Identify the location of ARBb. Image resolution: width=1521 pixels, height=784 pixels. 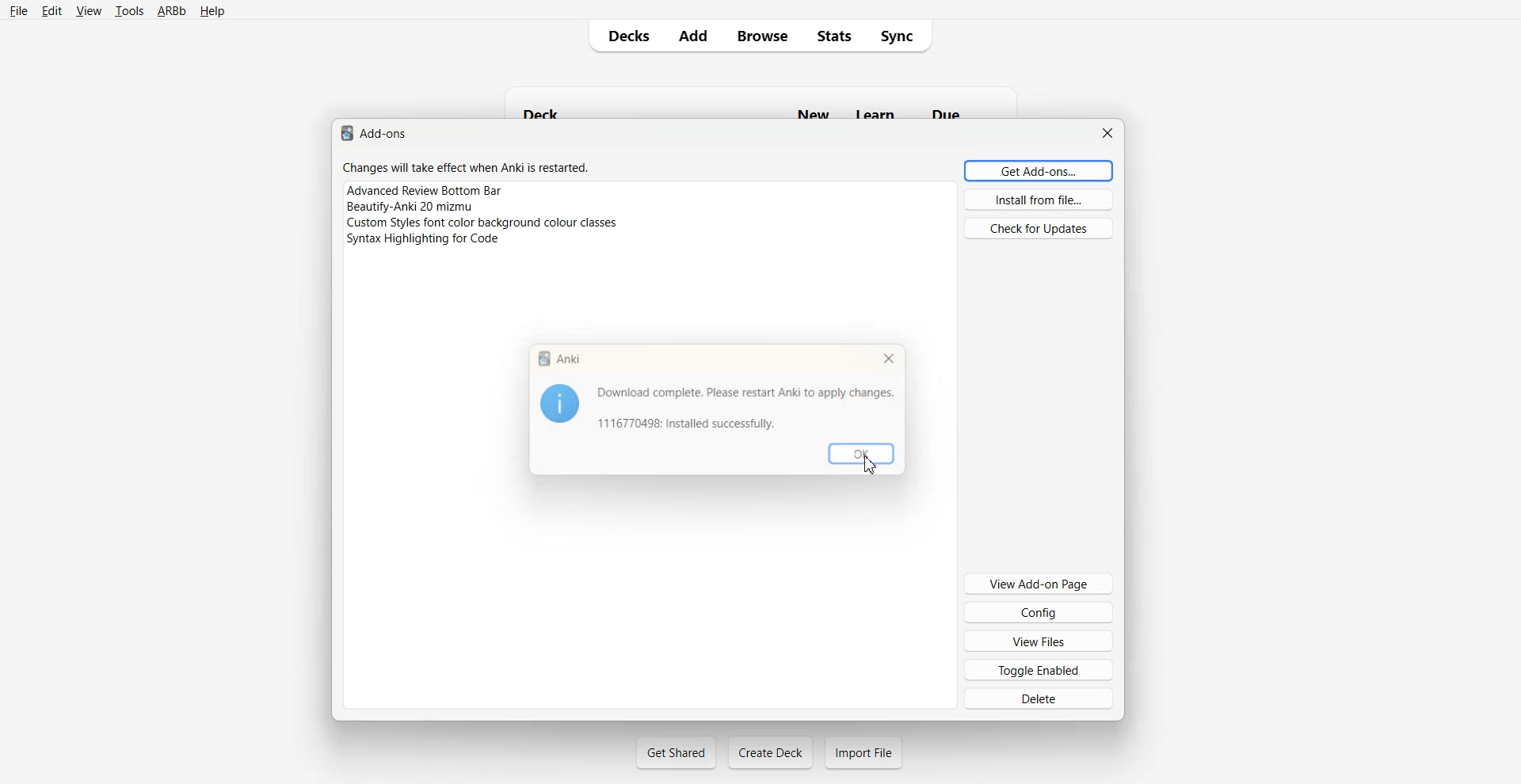
(171, 10).